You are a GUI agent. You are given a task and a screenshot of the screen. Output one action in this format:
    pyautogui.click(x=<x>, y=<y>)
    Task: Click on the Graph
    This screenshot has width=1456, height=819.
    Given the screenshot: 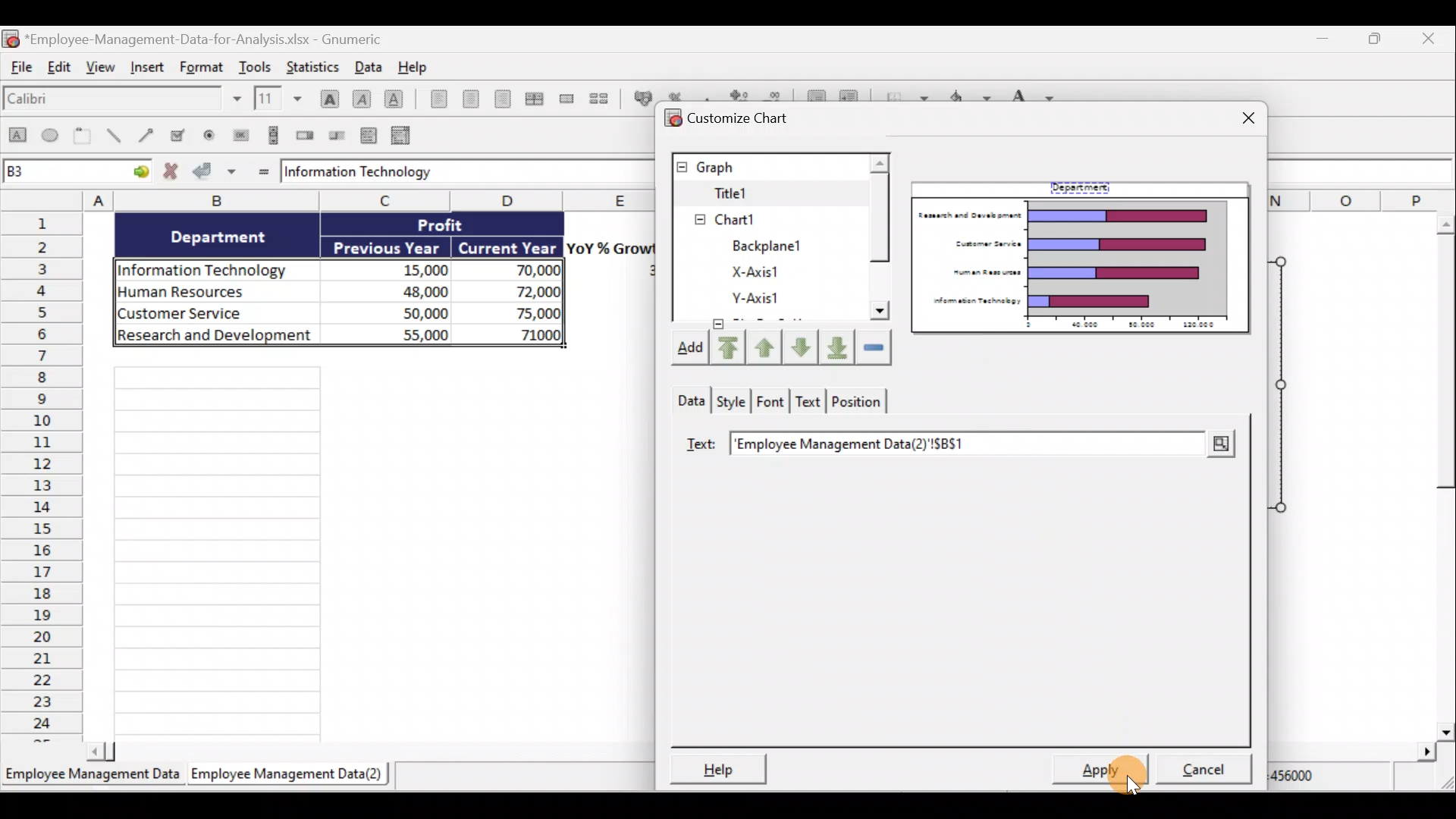 What is the action you would take?
    pyautogui.click(x=768, y=165)
    